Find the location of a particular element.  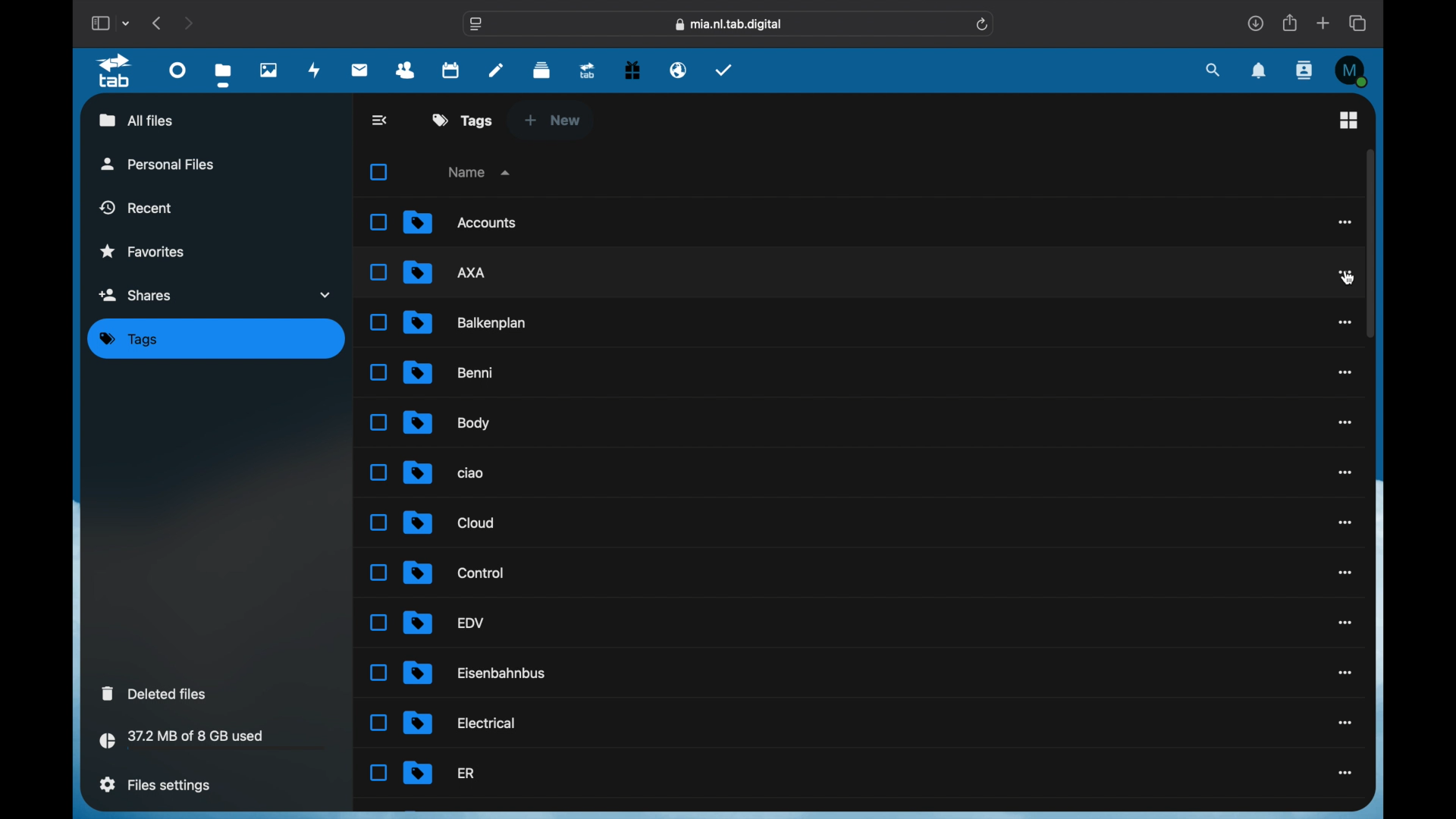

Unselected Checkbox is located at coordinates (378, 773).